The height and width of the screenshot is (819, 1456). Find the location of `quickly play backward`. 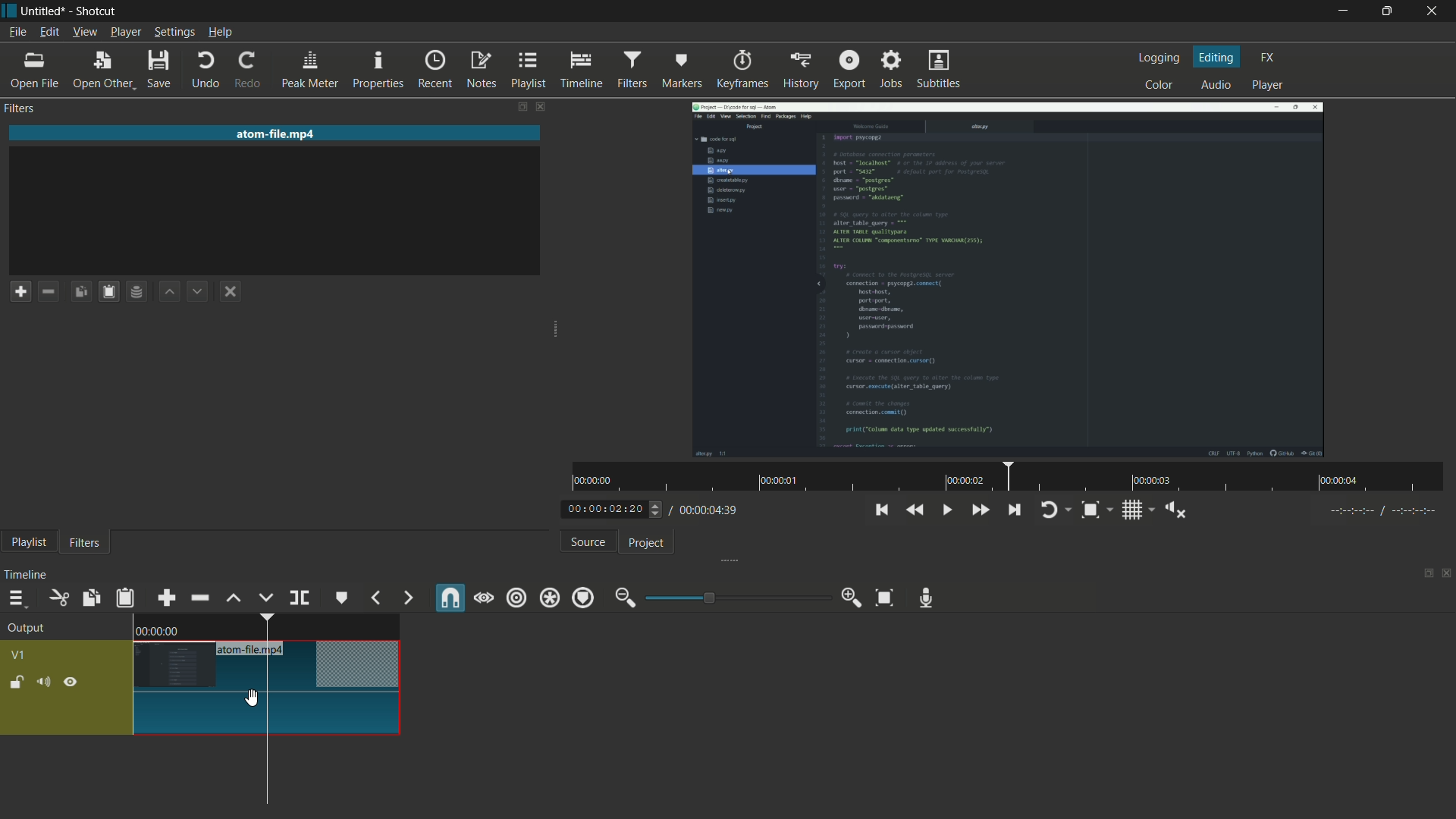

quickly play backward is located at coordinates (915, 510).